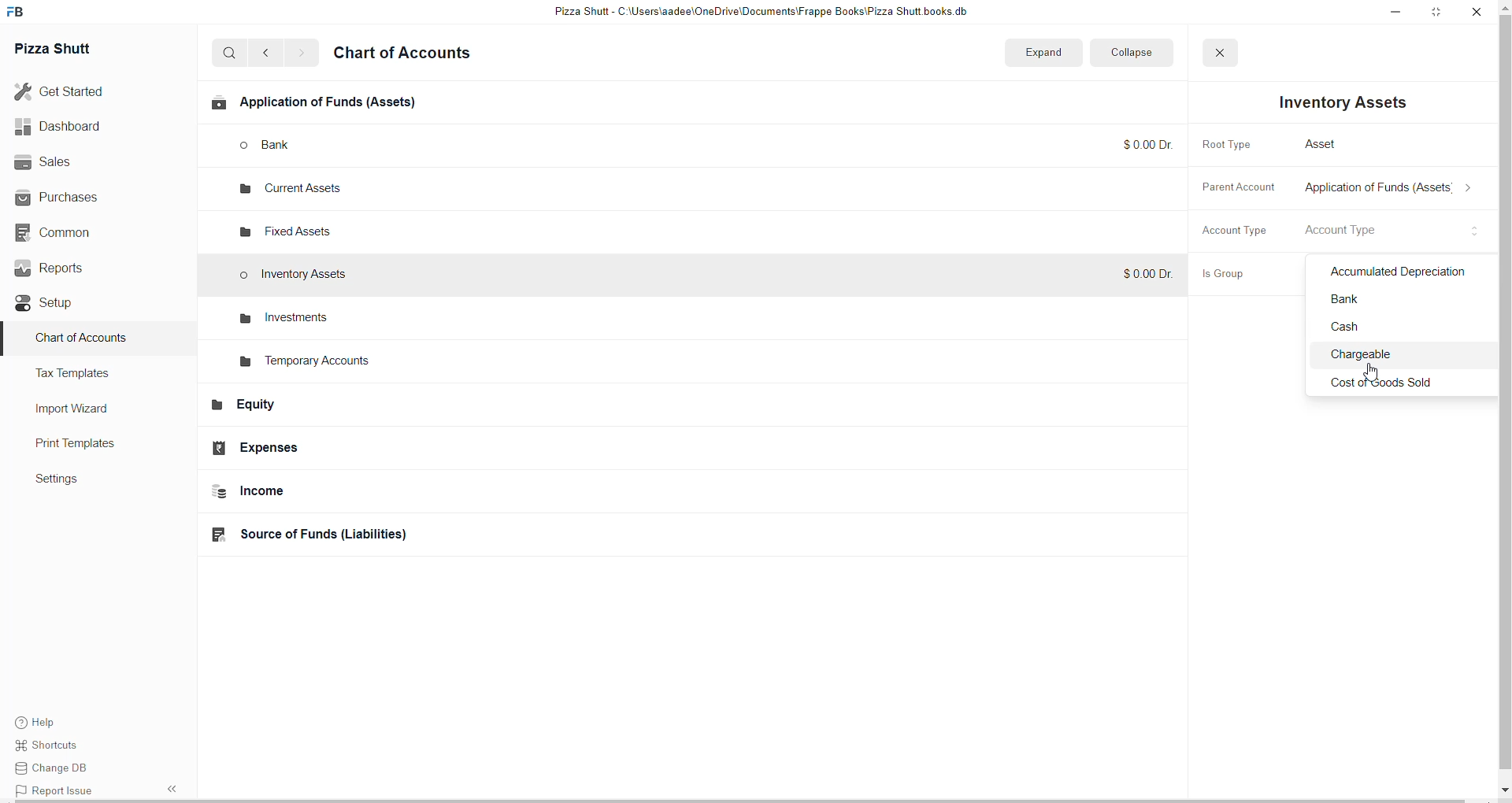 This screenshot has height=803, width=1512. I want to click on Inventory Assets , so click(1347, 102).